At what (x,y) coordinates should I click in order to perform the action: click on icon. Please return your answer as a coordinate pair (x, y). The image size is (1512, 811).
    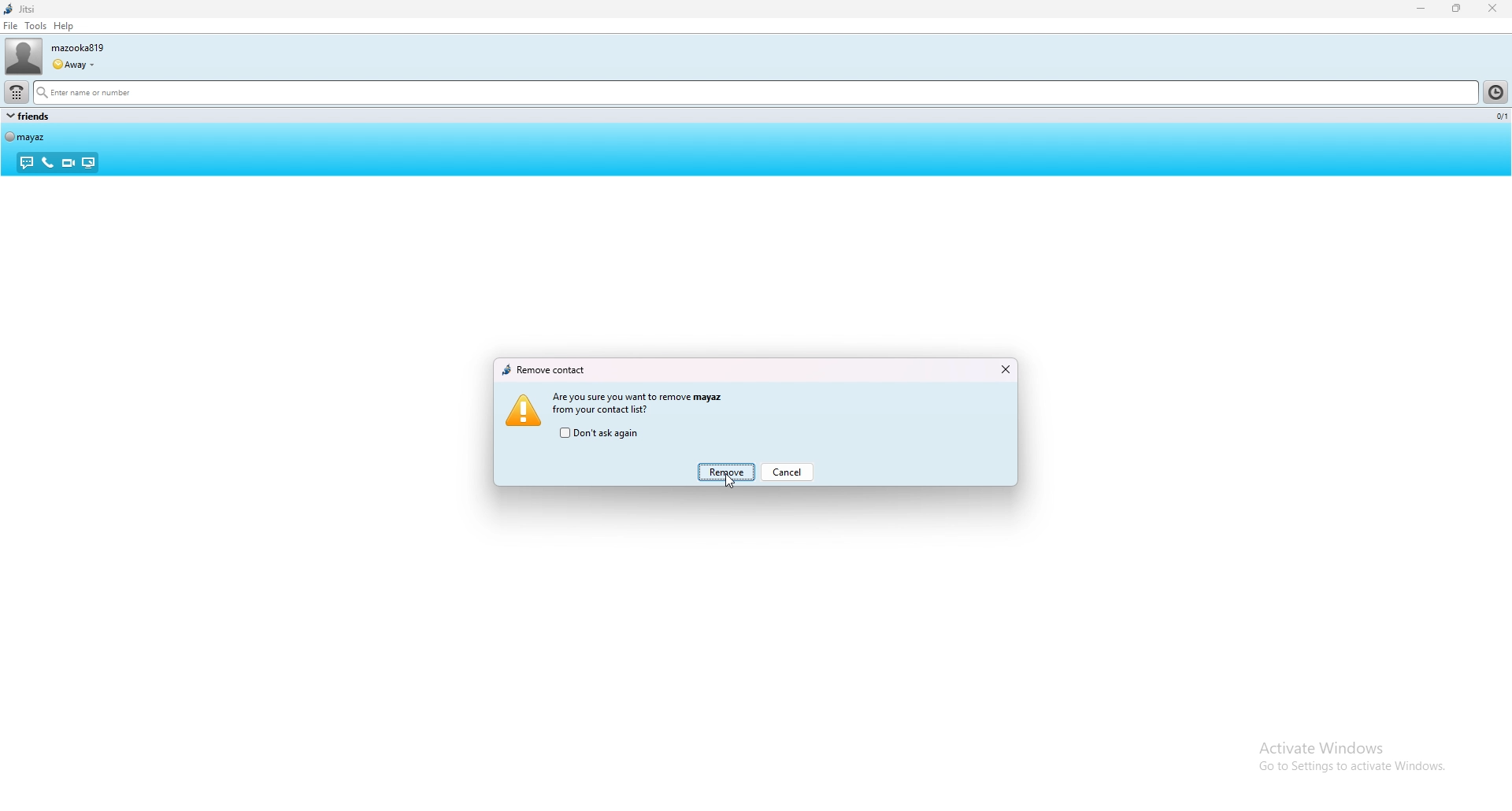
    Looking at the image, I should click on (524, 411).